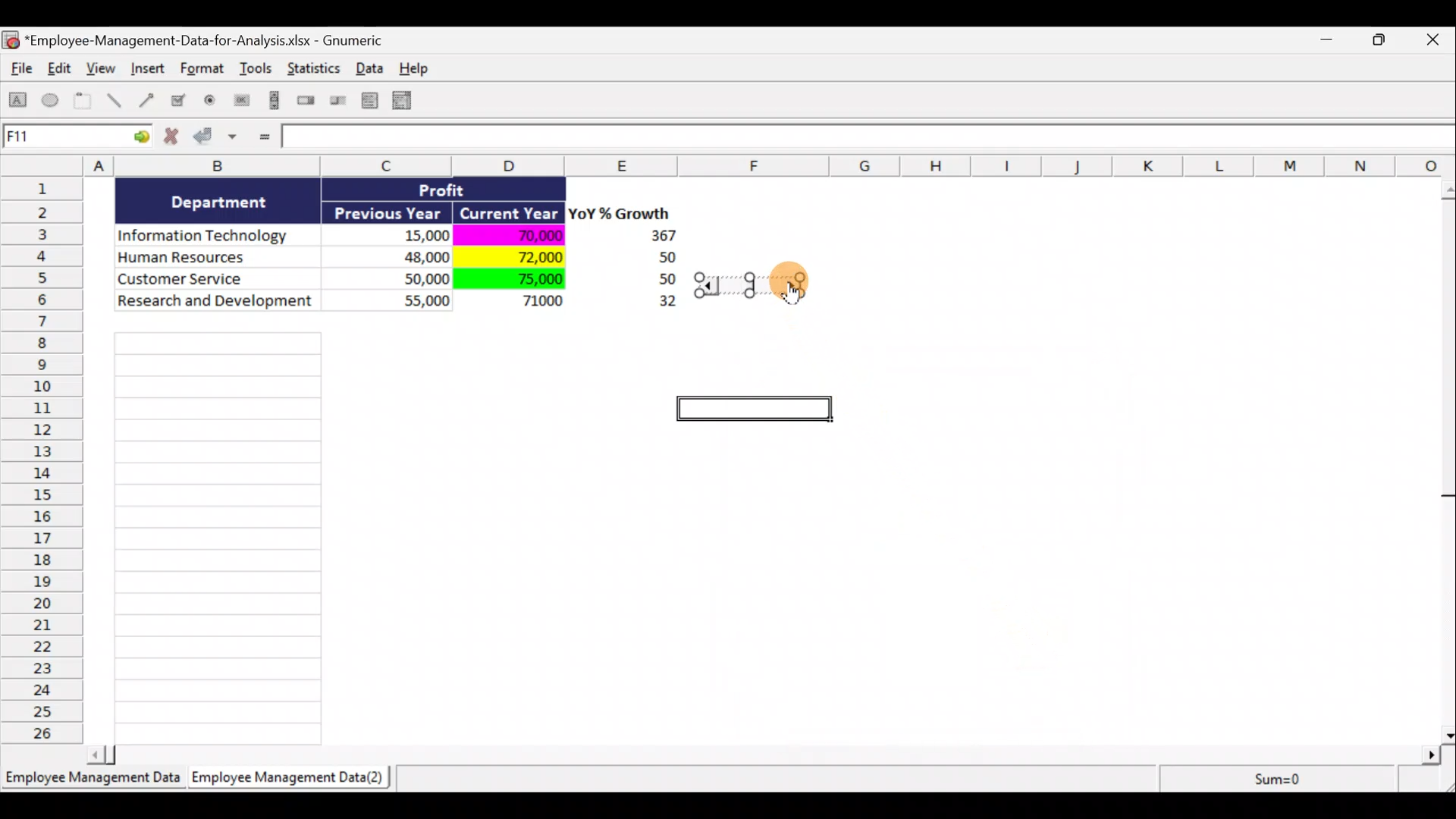  I want to click on Insert, so click(147, 71).